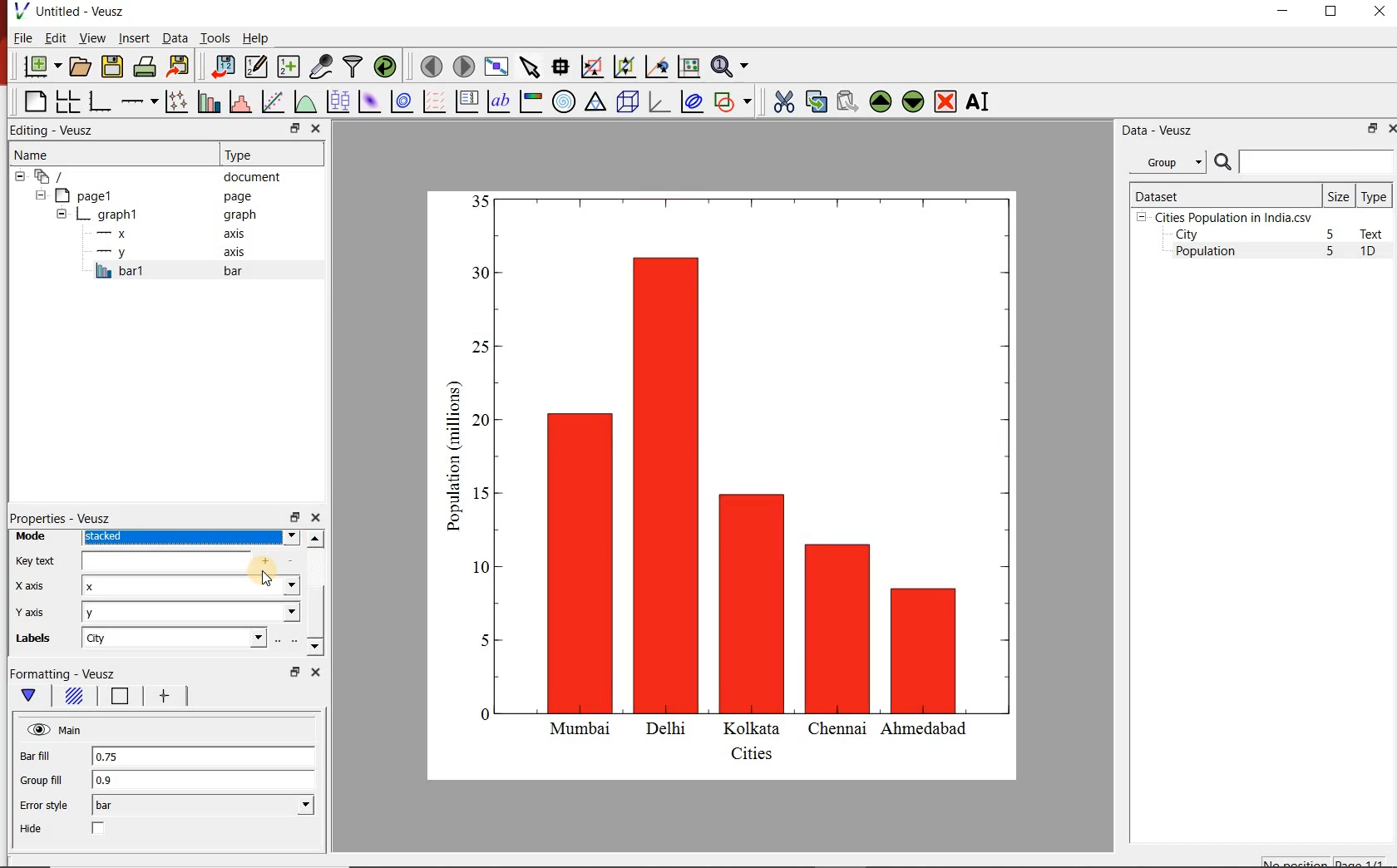 The width and height of the screenshot is (1397, 868). What do you see at coordinates (531, 101) in the screenshot?
I see `image color bar` at bounding box center [531, 101].